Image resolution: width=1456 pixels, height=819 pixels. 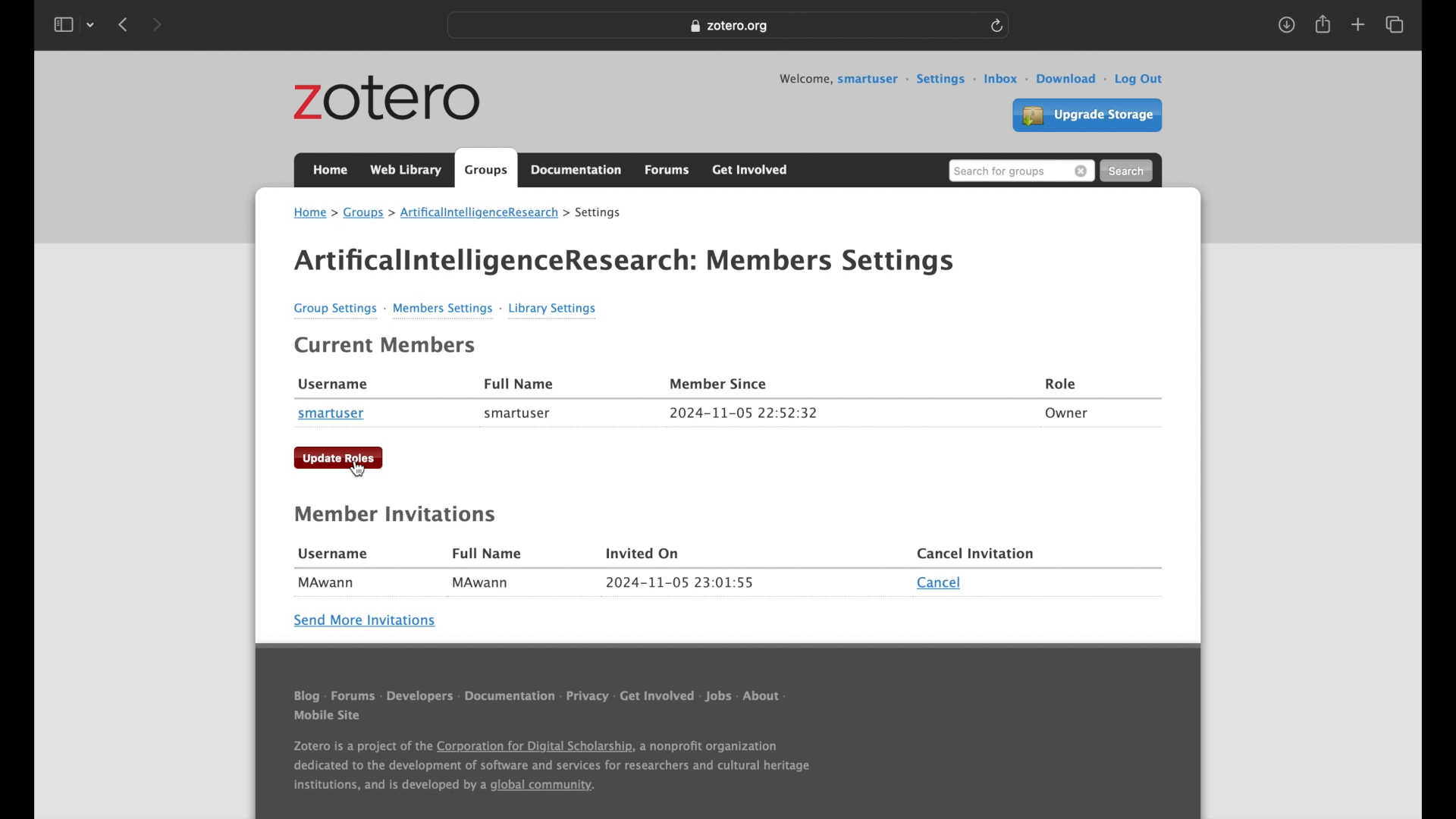 I want to click on home tab, so click(x=330, y=169).